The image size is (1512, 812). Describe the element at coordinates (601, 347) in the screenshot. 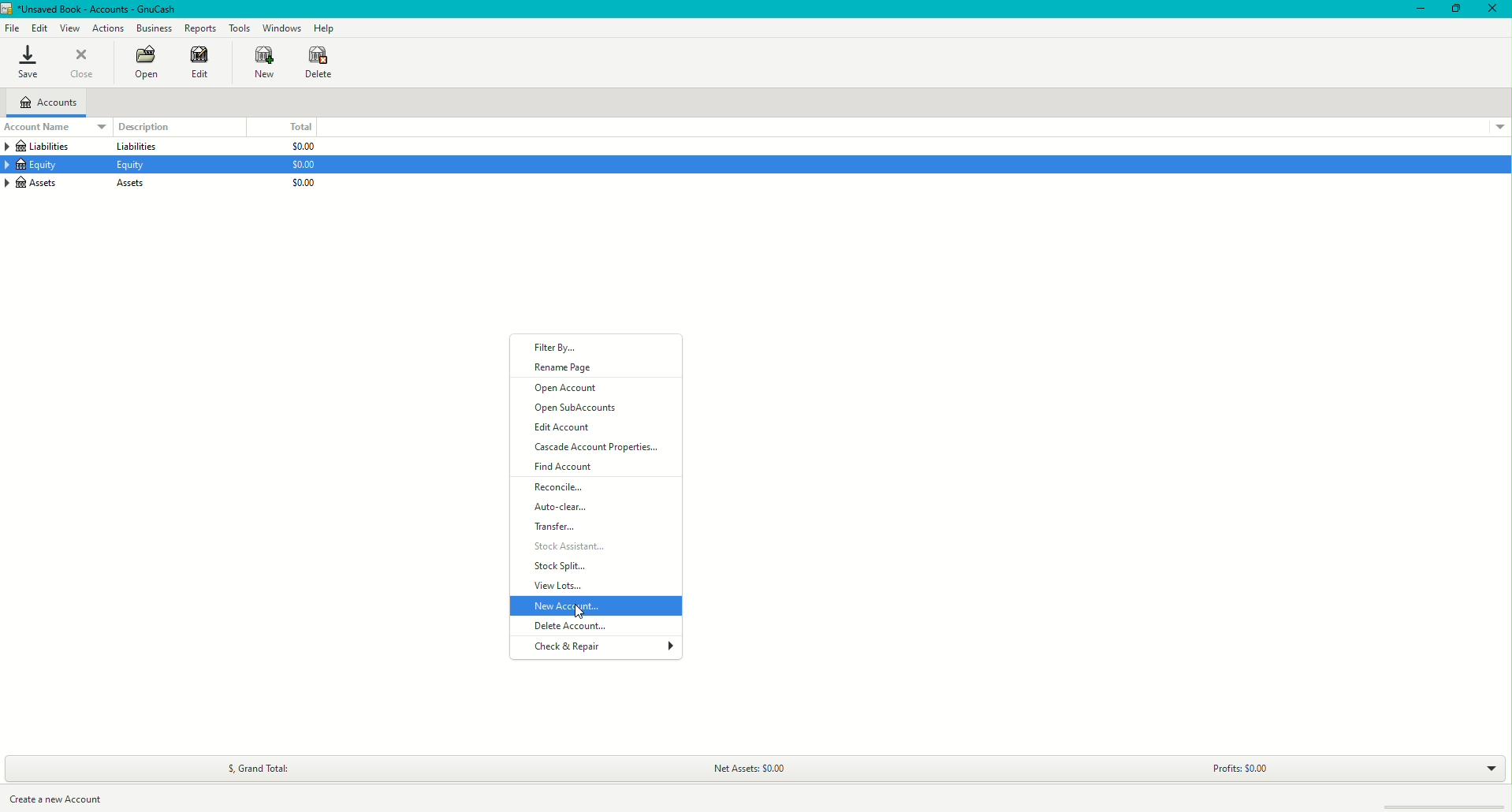

I see `Filter By` at that location.